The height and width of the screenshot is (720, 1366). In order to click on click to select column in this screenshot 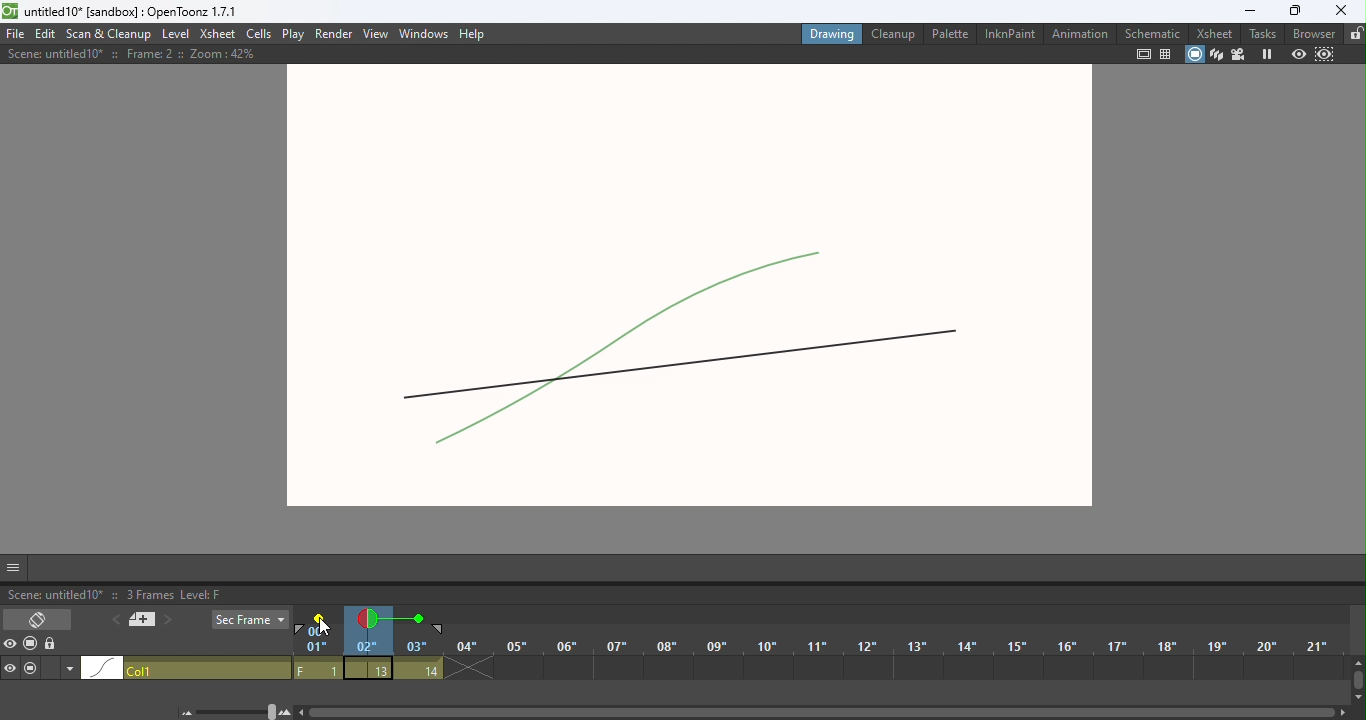, I will do `click(187, 669)`.